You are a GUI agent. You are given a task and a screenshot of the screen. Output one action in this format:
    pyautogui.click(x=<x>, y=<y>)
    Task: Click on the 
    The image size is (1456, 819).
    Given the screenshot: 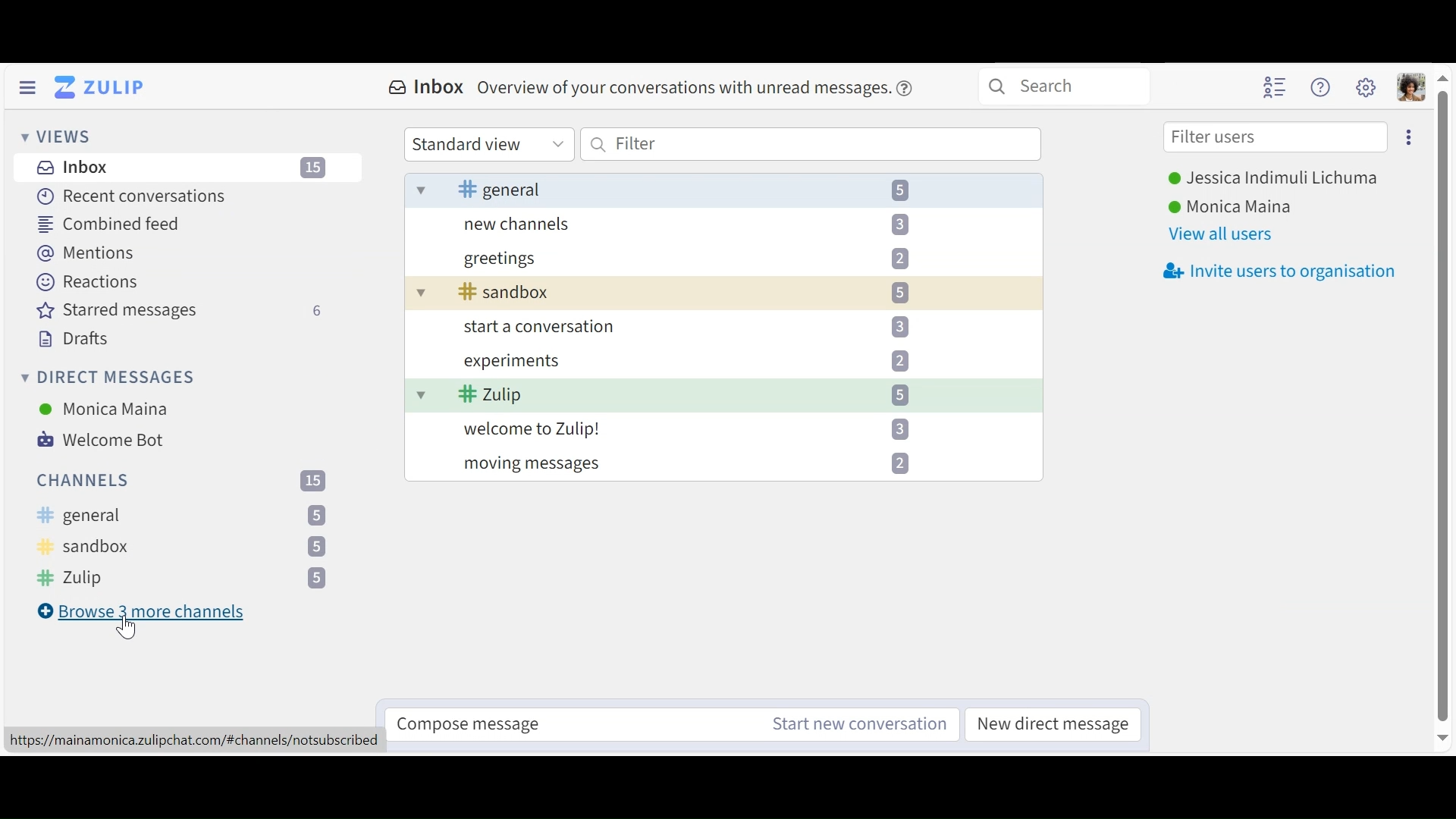 What is the action you would take?
    pyautogui.click(x=181, y=579)
    